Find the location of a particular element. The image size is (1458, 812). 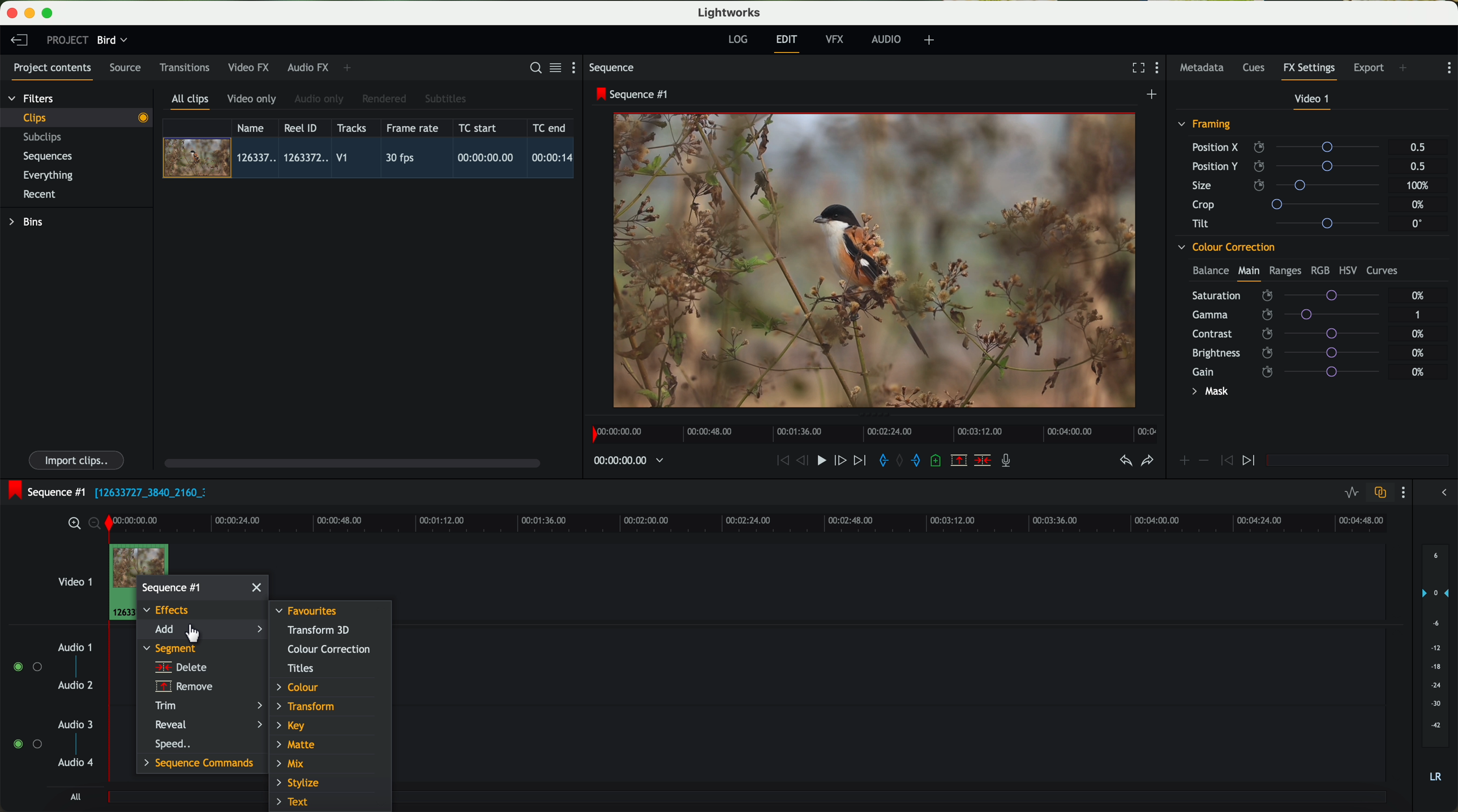

main is located at coordinates (1249, 273).